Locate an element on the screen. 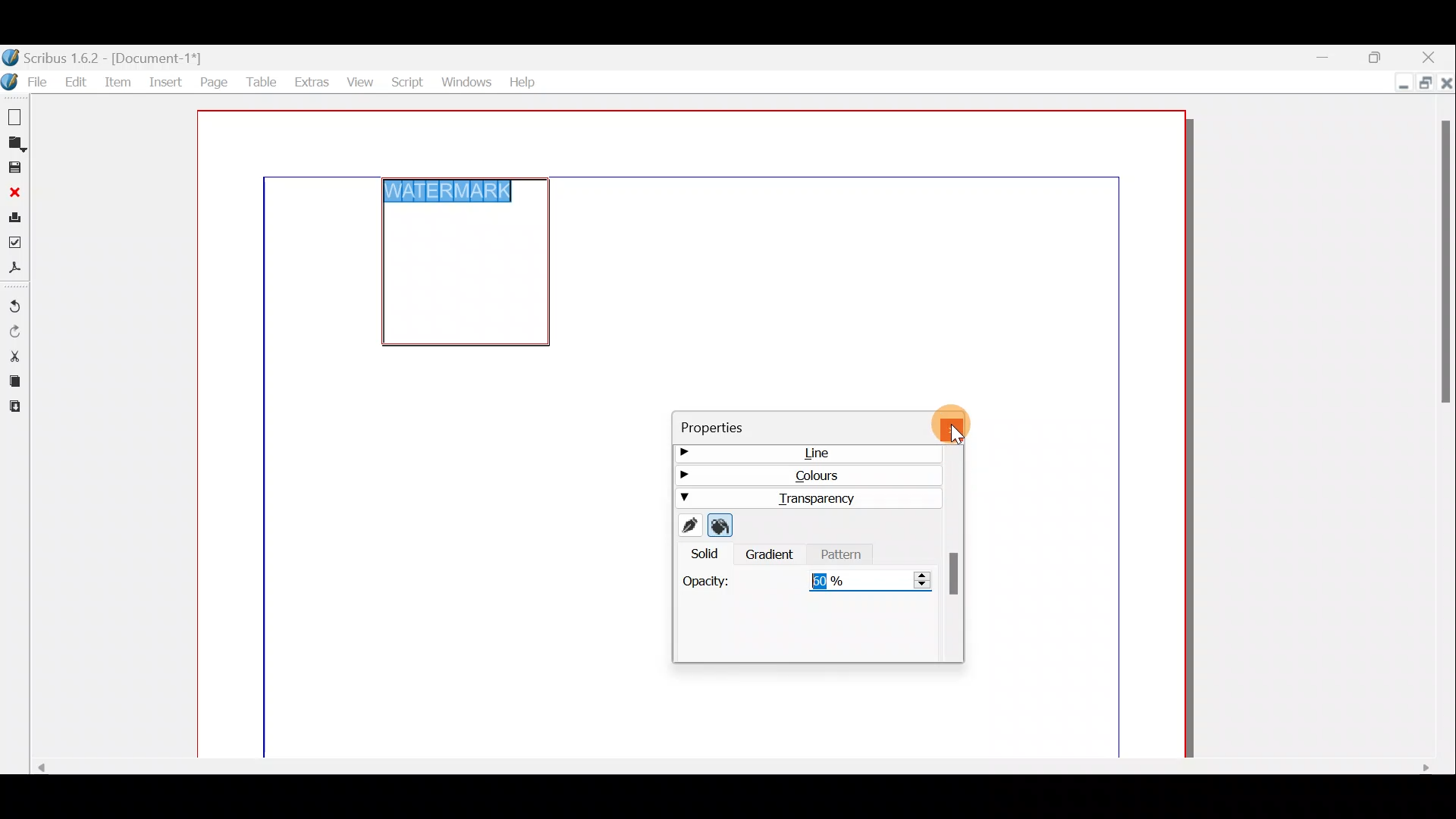  Colours is located at coordinates (804, 478).